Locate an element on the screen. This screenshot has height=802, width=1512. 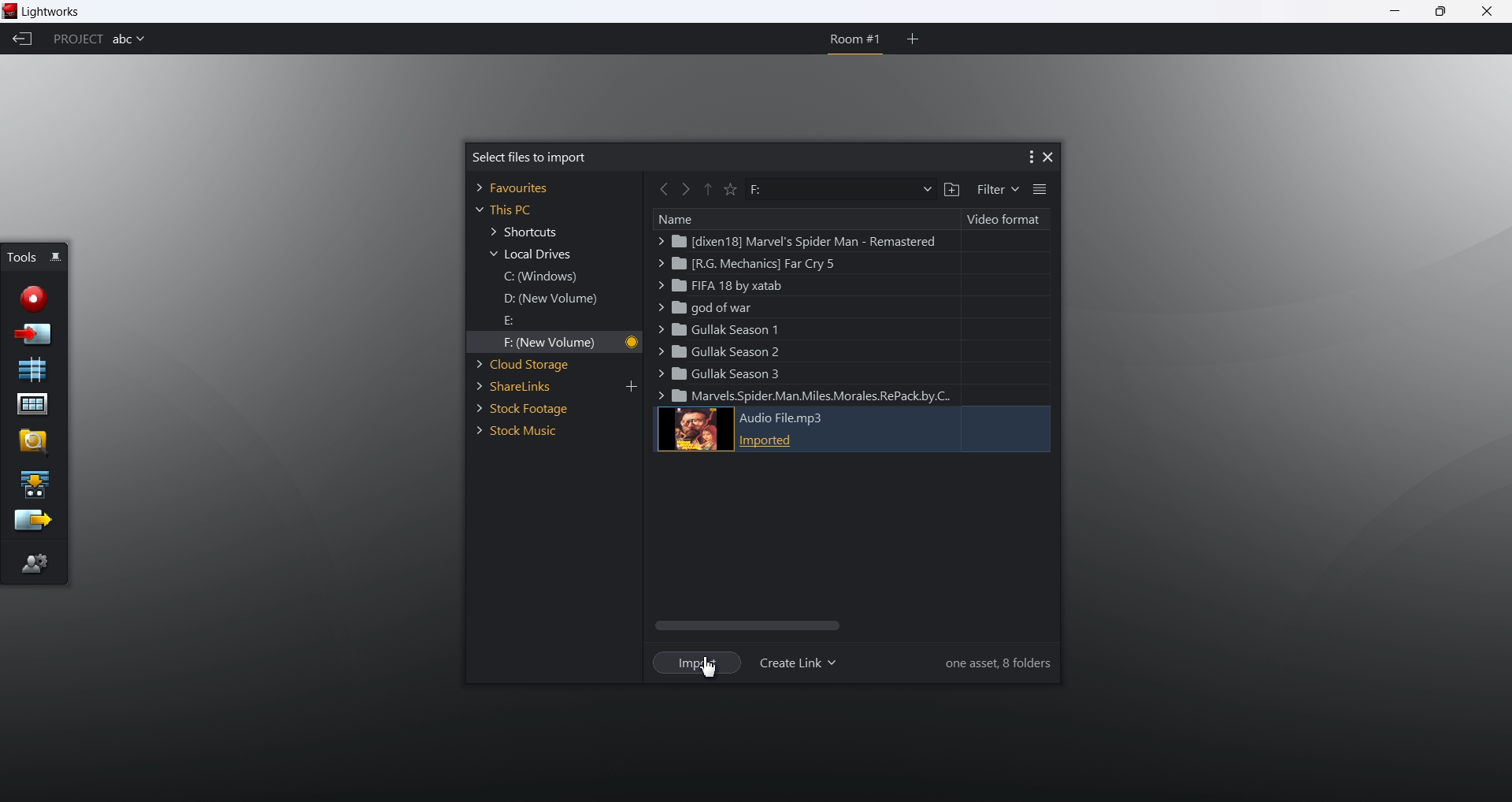
marvel spider man is located at coordinates (796, 242).